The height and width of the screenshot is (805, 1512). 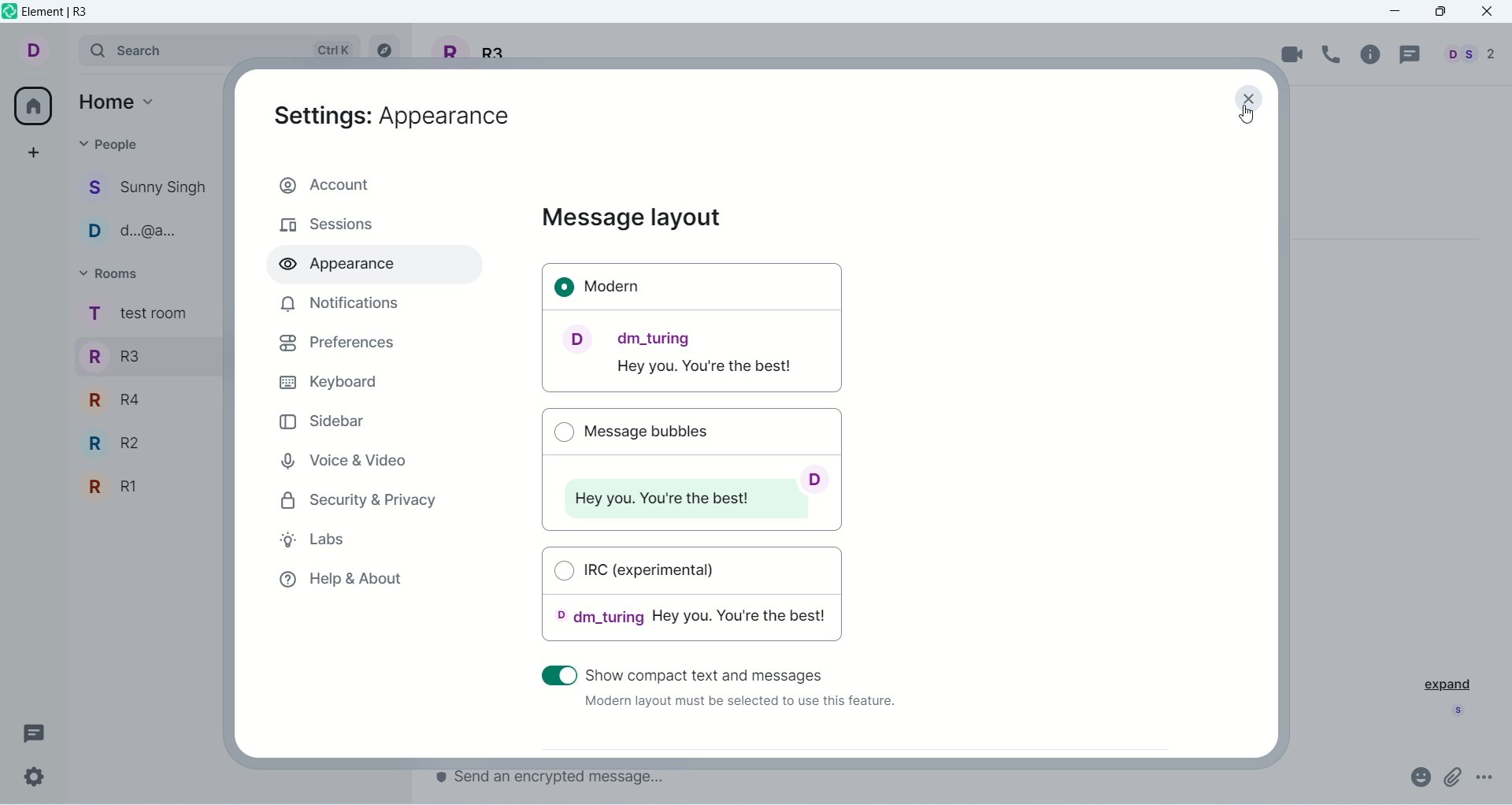 I want to click on R2, so click(x=150, y=443).